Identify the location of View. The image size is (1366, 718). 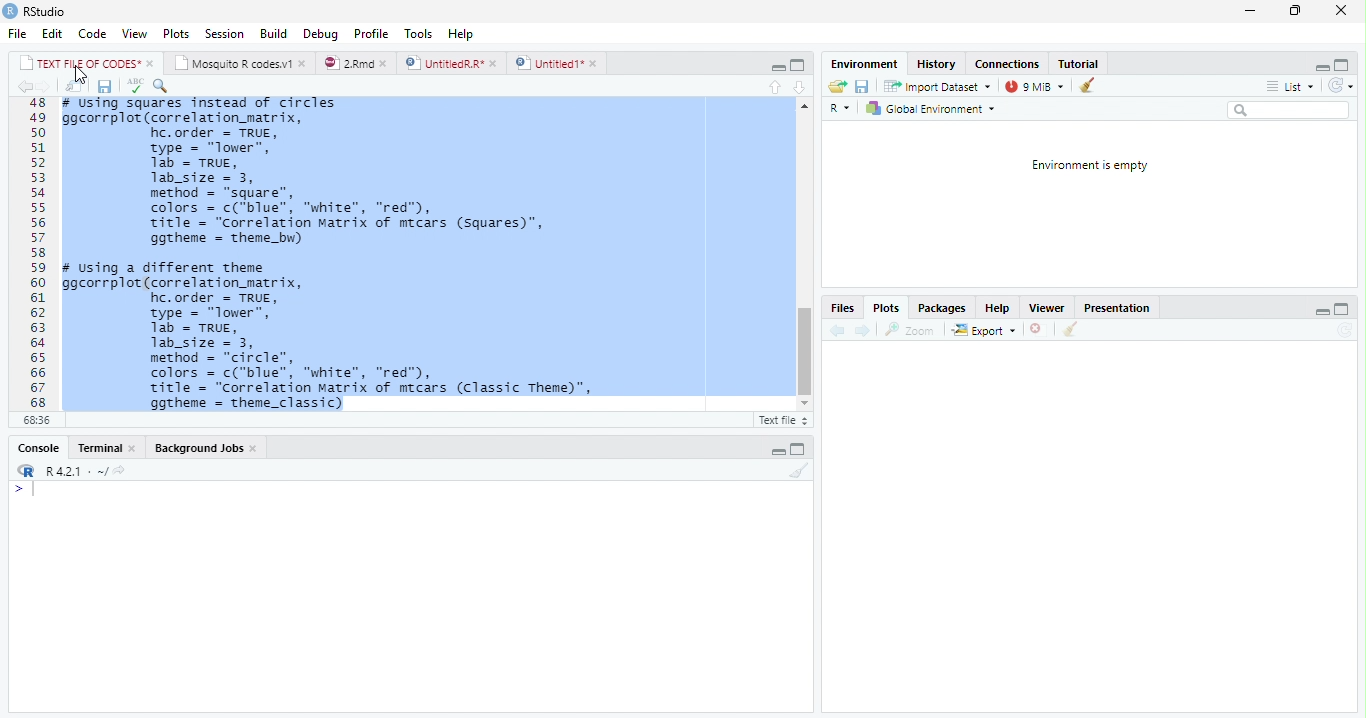
(135, 32).